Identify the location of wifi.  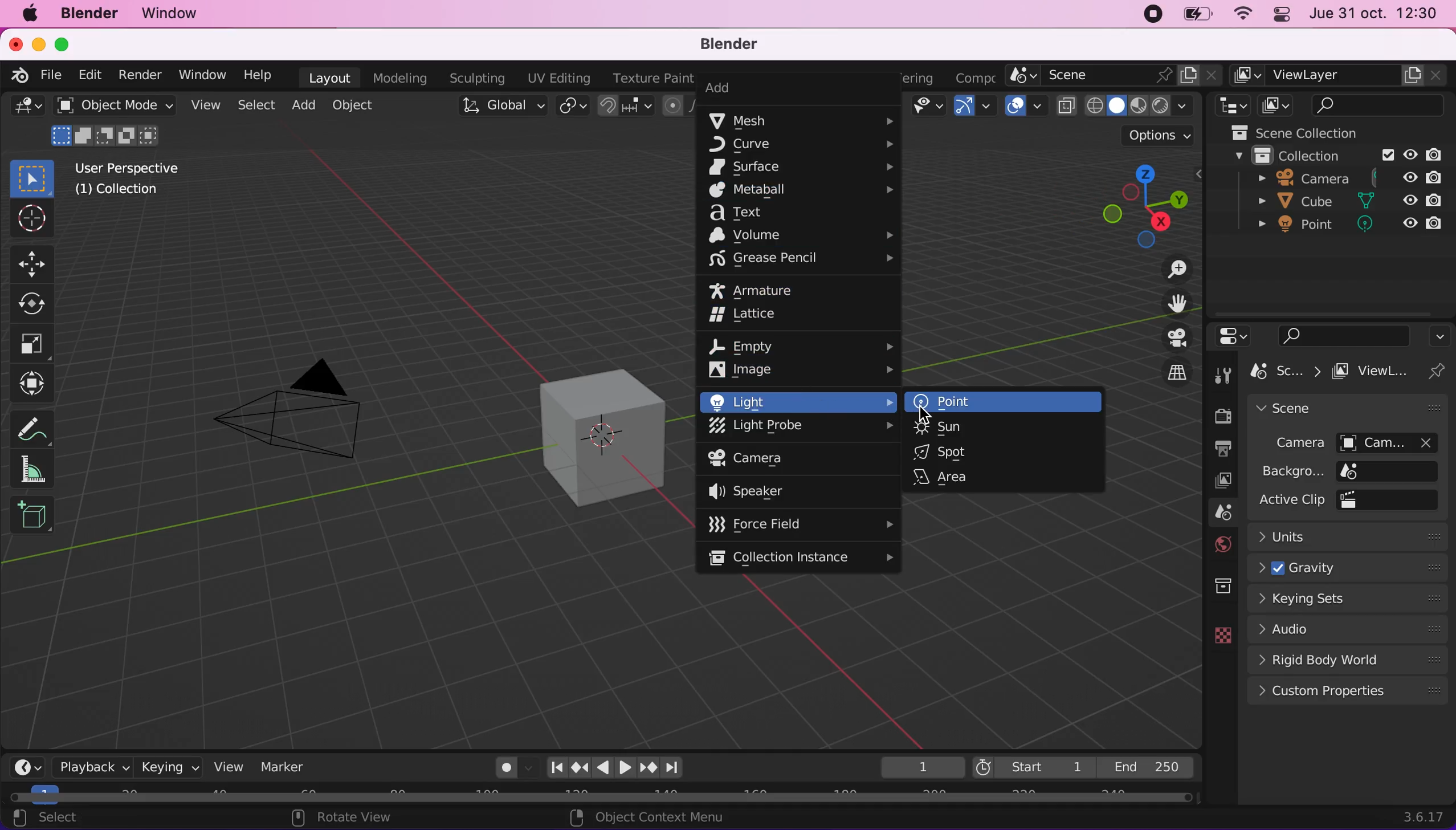
(1246, 14).